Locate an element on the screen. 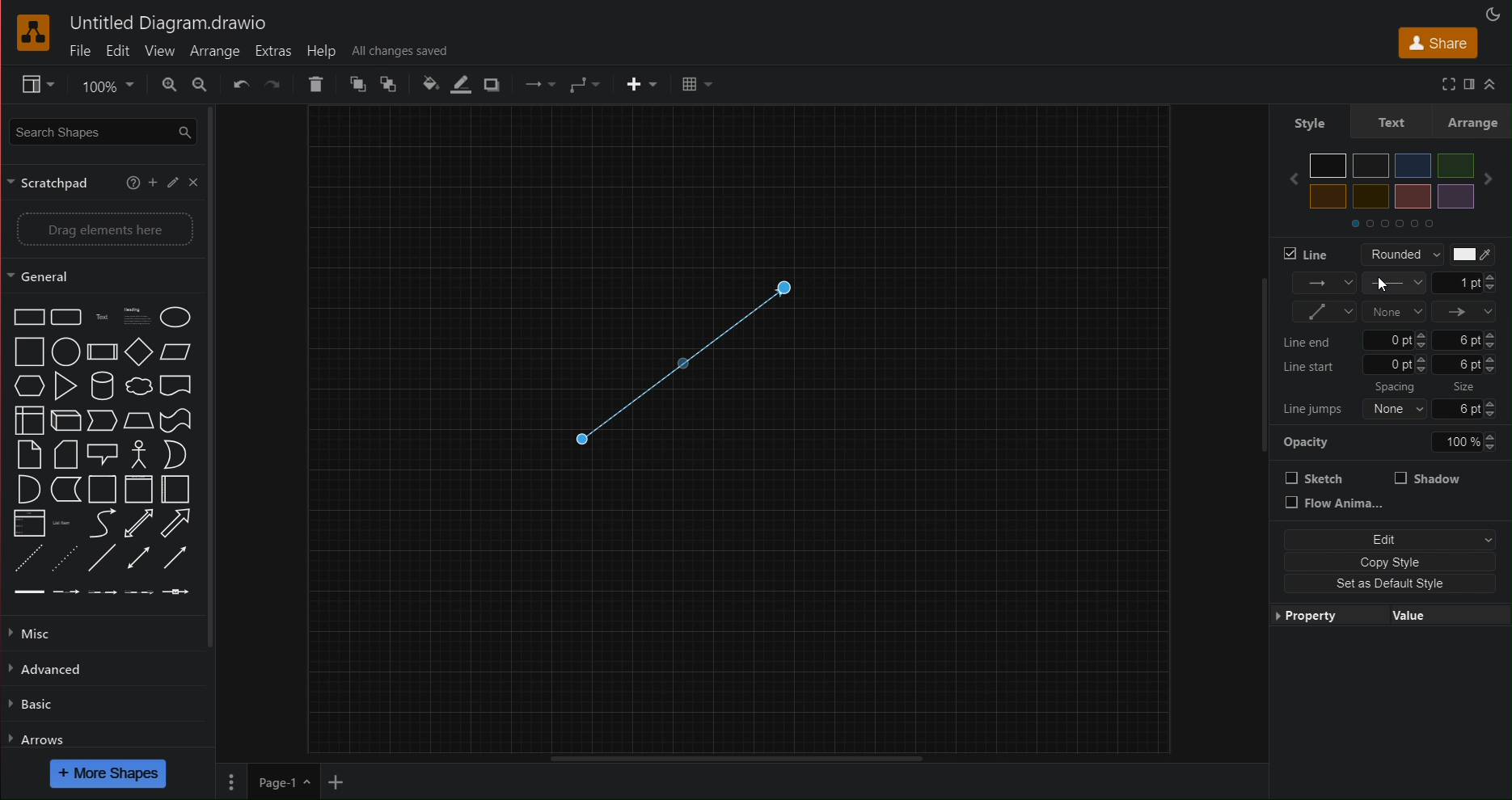 Image resolution: width=1512 pixels, height=800 pixels. Line Color is located at coordinates (1471, 255).